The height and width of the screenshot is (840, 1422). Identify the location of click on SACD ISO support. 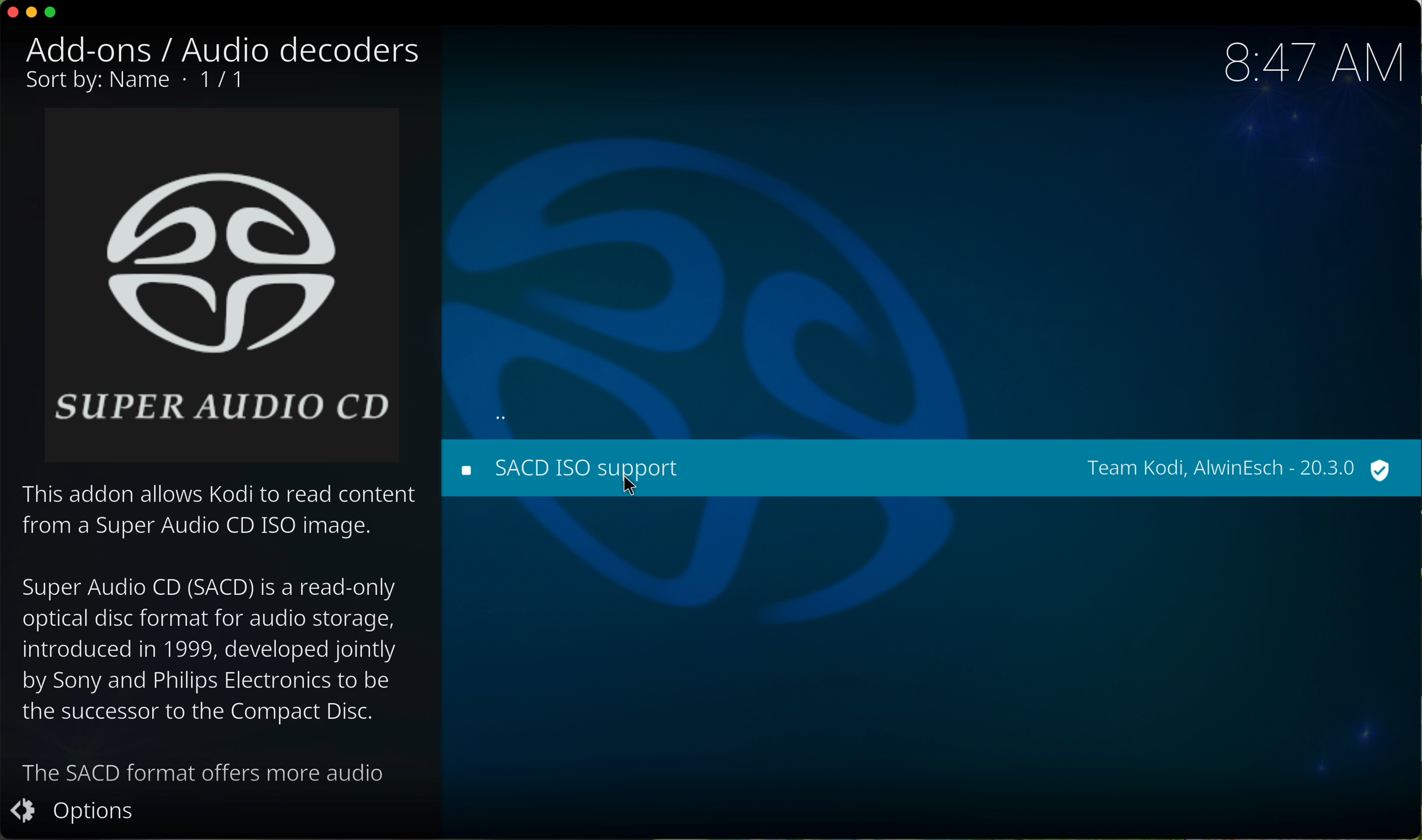
(928, 468).